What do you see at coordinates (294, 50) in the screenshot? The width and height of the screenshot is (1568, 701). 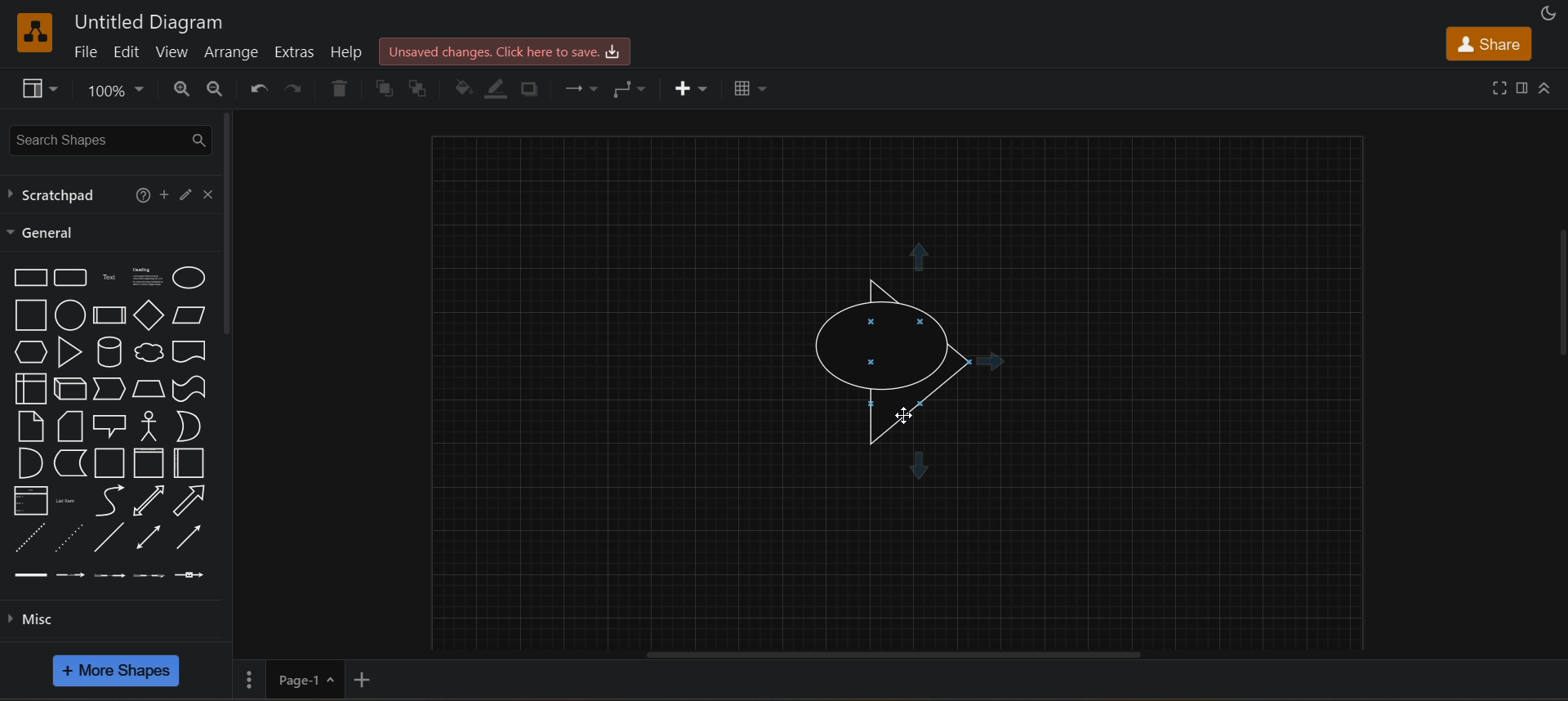 I see `extras` at bounding box center [294, 50].